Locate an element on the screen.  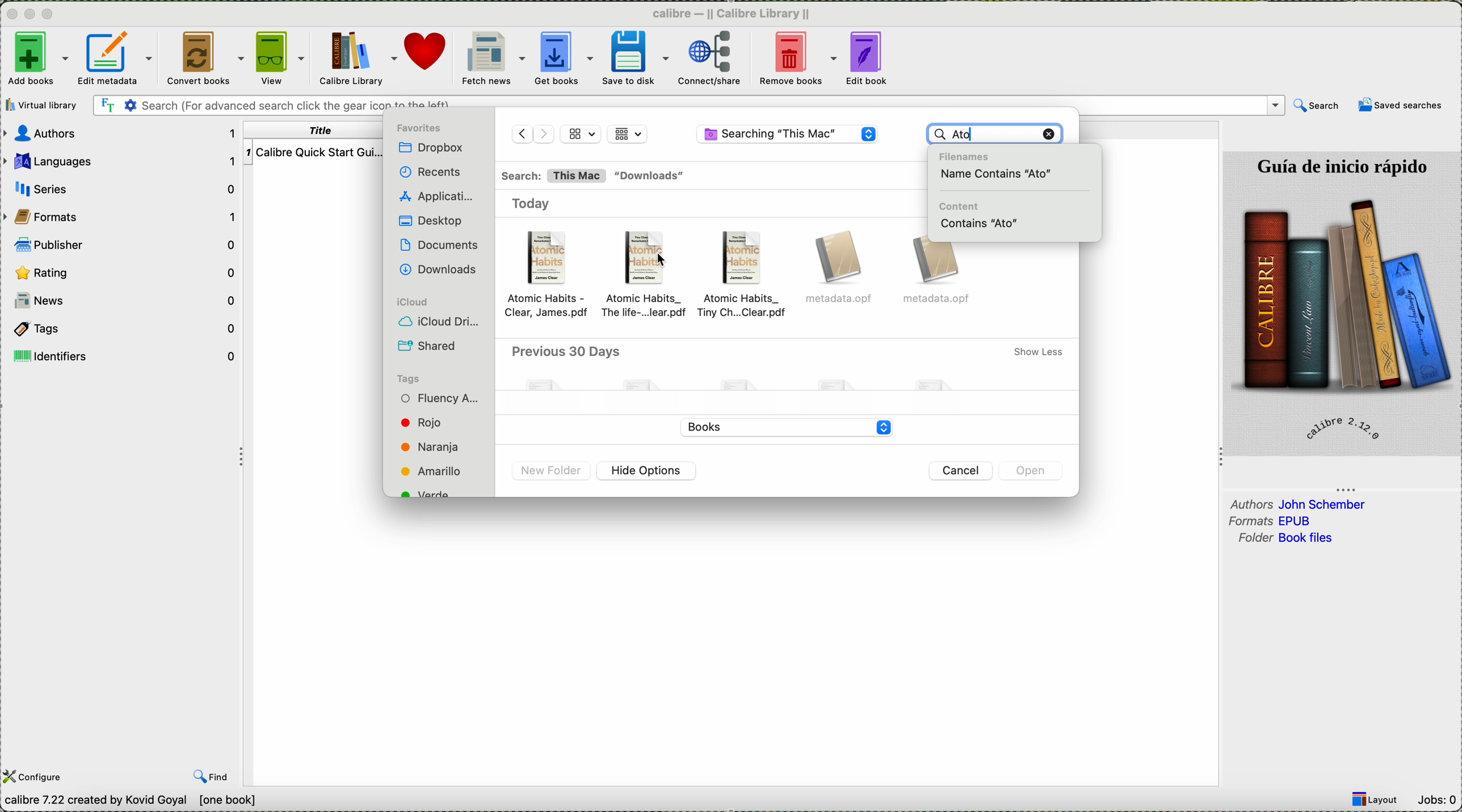
Layout is located at coordinates (1376, 800).